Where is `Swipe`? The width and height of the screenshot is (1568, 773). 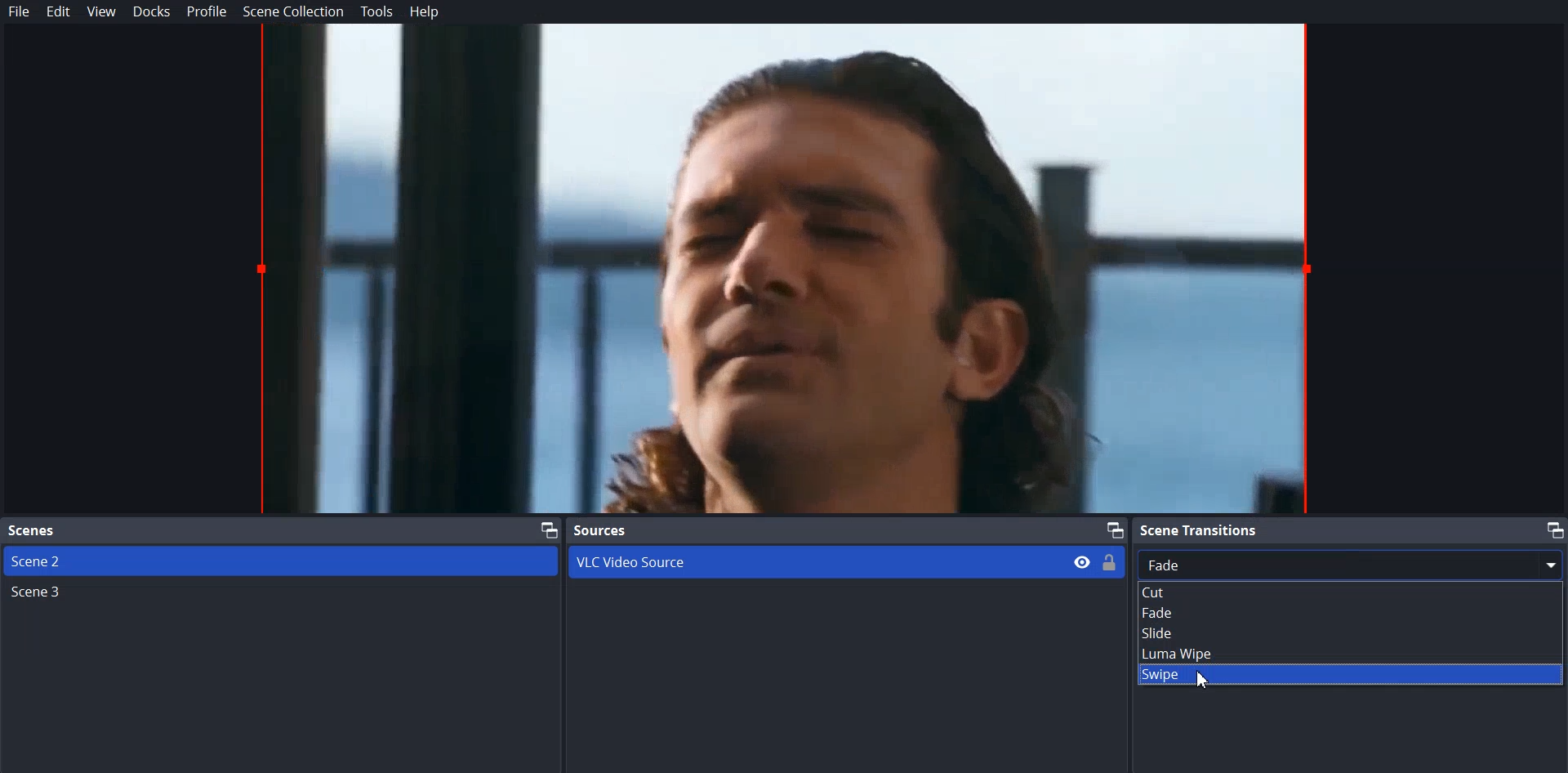
Swipe is located at coordinates (1350, 674).